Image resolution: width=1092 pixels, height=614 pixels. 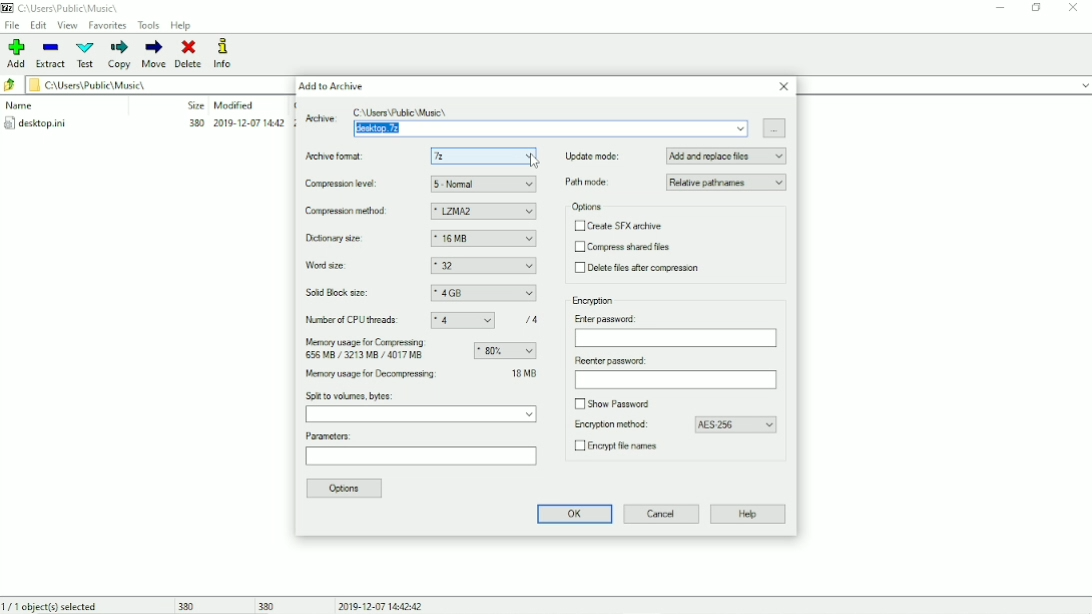 What do you see at coordinates (267, 605) in the screenshot?
I see `380` at bounding box center [267, 605].